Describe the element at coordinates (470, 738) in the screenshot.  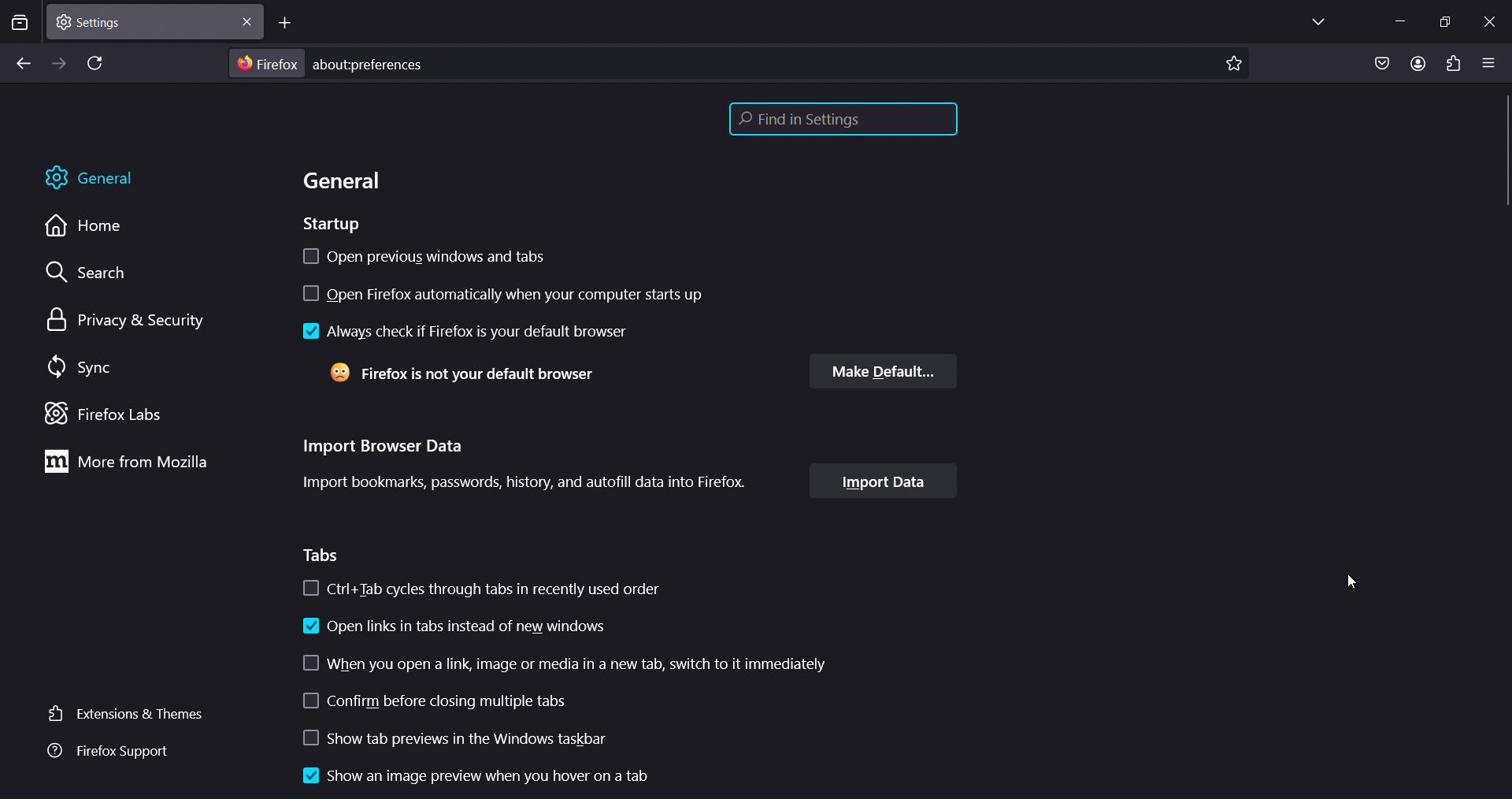
I see `show tab previews in the windows taslbar` at that location.